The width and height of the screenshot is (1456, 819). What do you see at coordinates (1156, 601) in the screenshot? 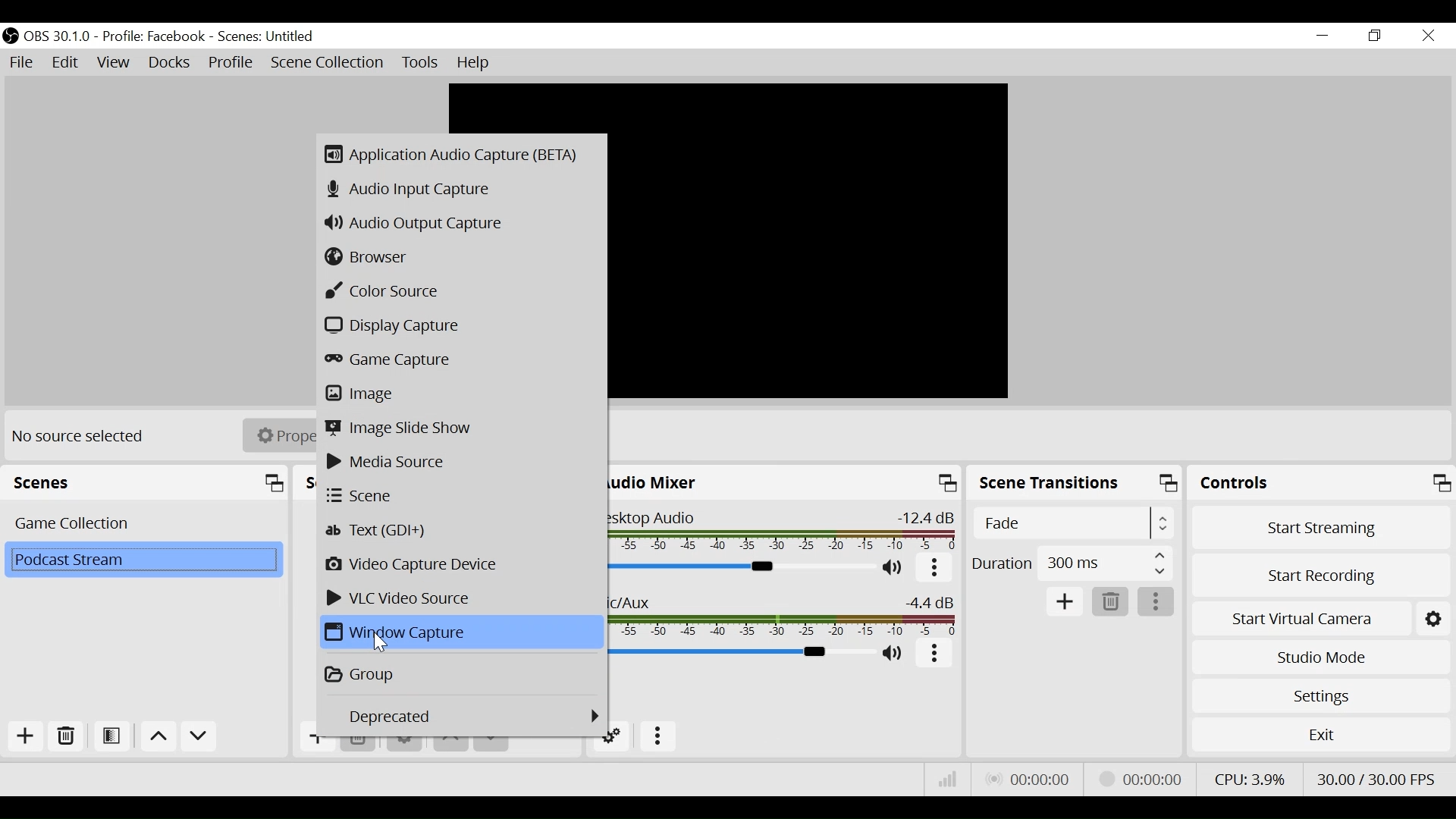
I see `More options` at bounding box center [1156, 601].